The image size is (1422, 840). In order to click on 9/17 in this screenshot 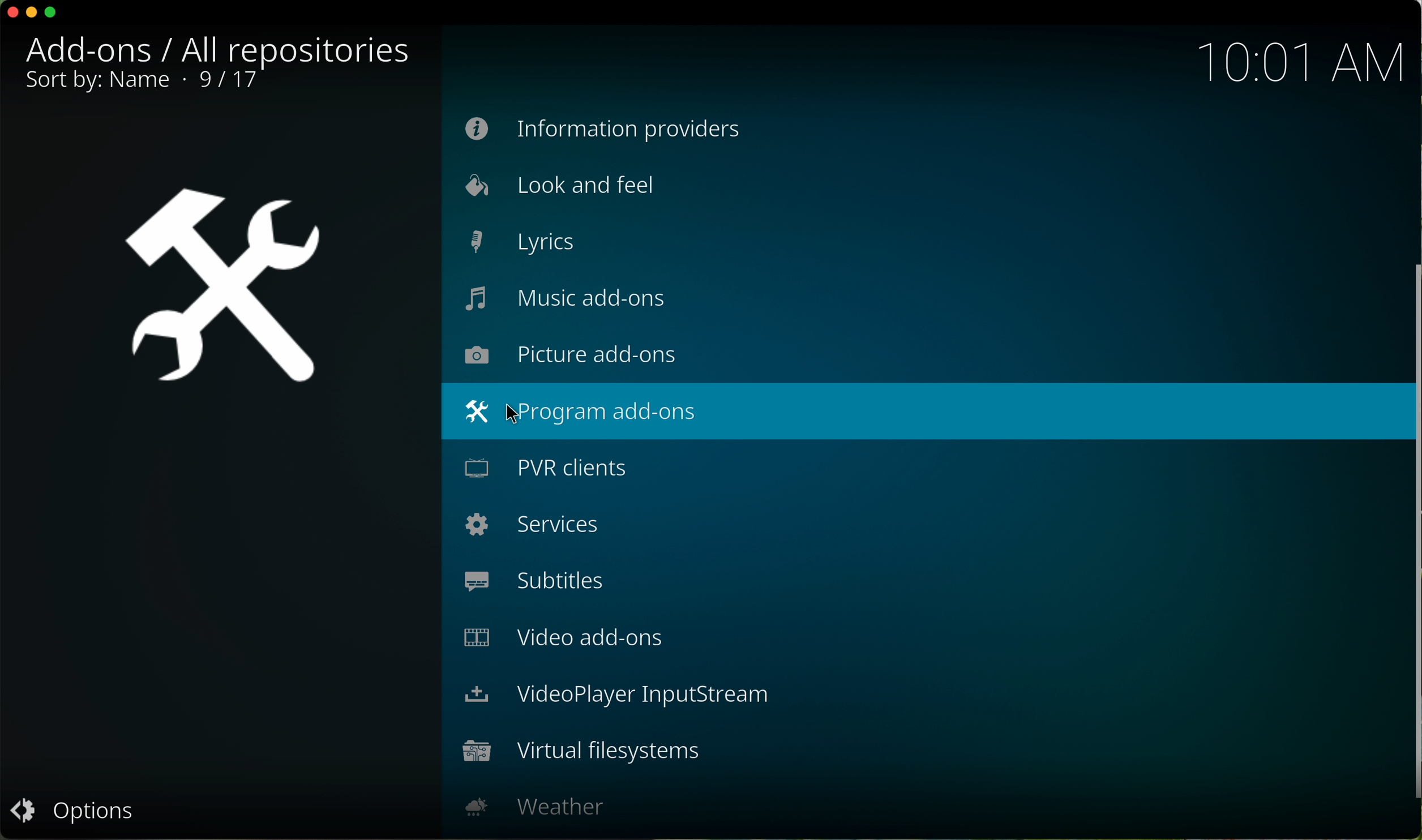, I will do `click(143, 83)`.